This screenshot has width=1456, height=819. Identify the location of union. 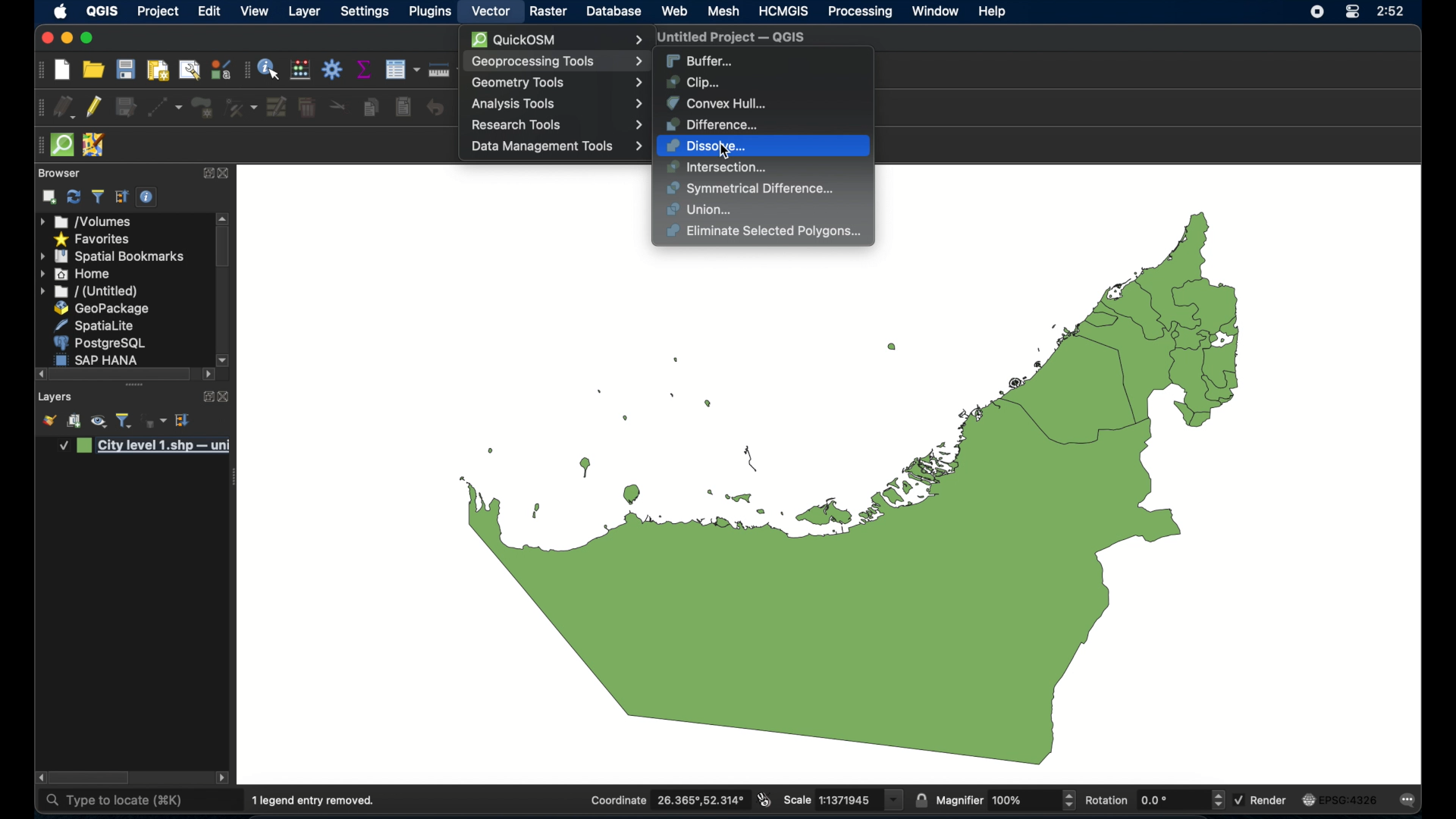
(701, 210).